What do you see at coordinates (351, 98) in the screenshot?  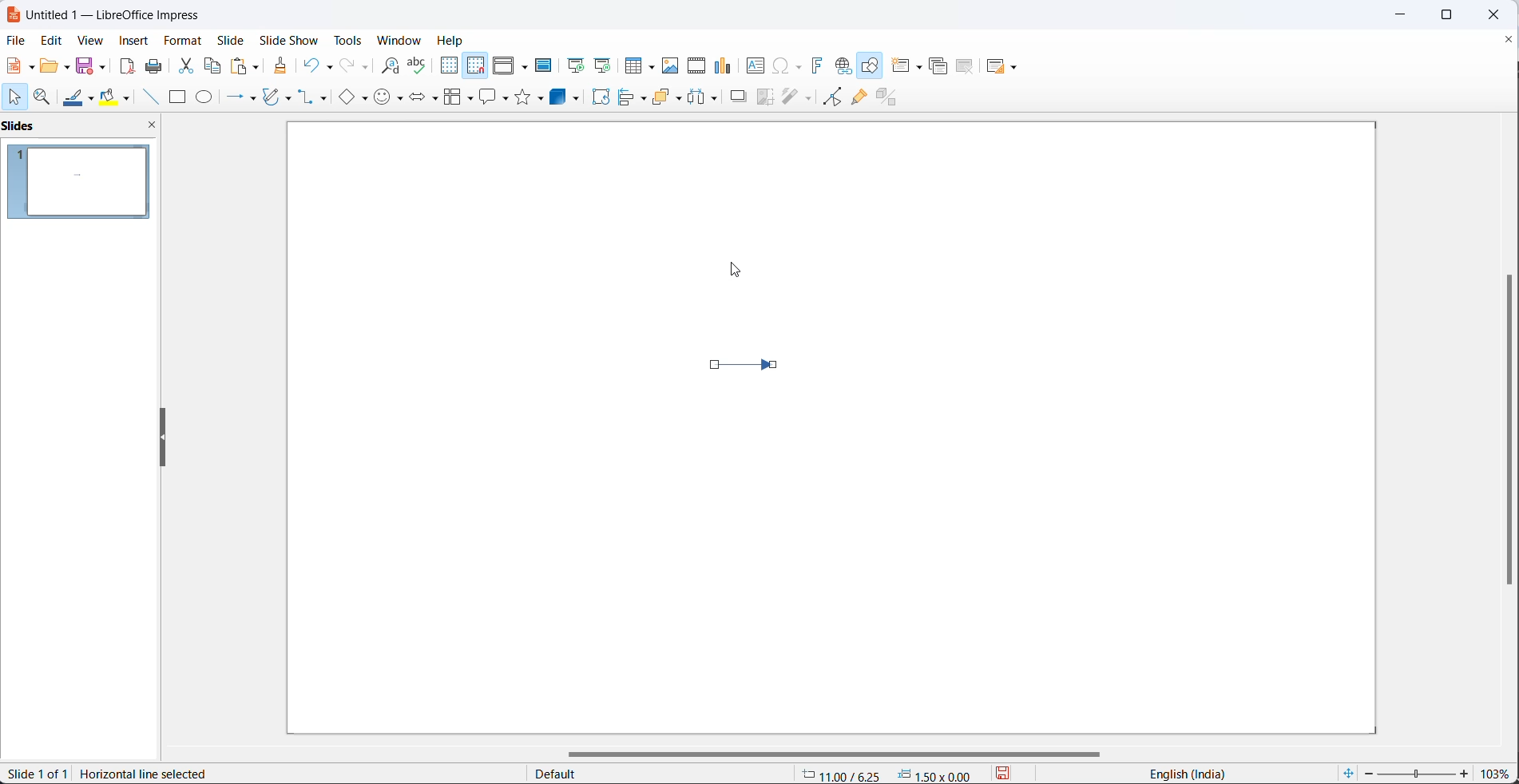 I see `basic shapes` at bounding box center [351, 98].